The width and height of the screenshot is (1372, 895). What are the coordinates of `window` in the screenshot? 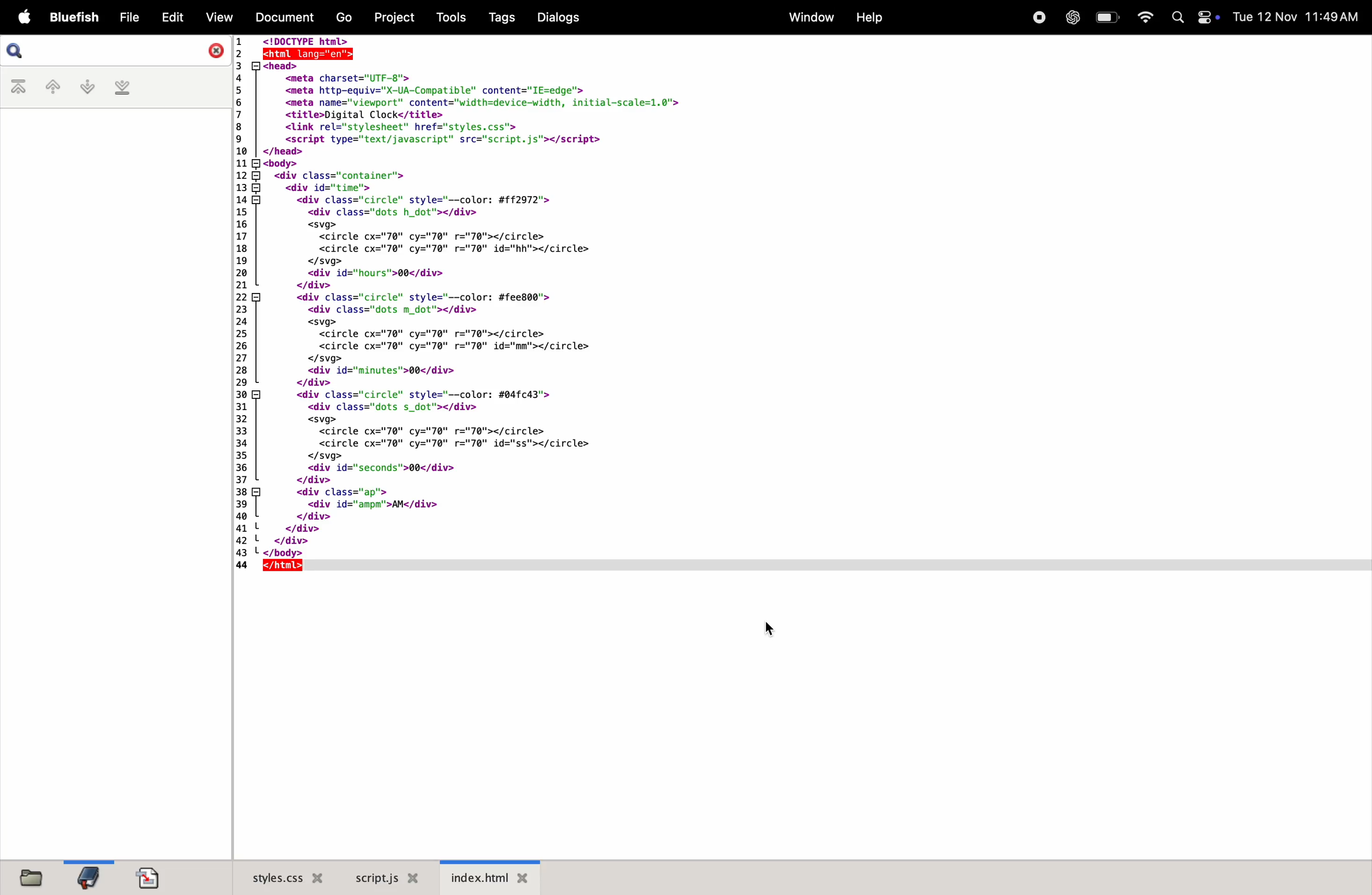 It's located at (811, 16).